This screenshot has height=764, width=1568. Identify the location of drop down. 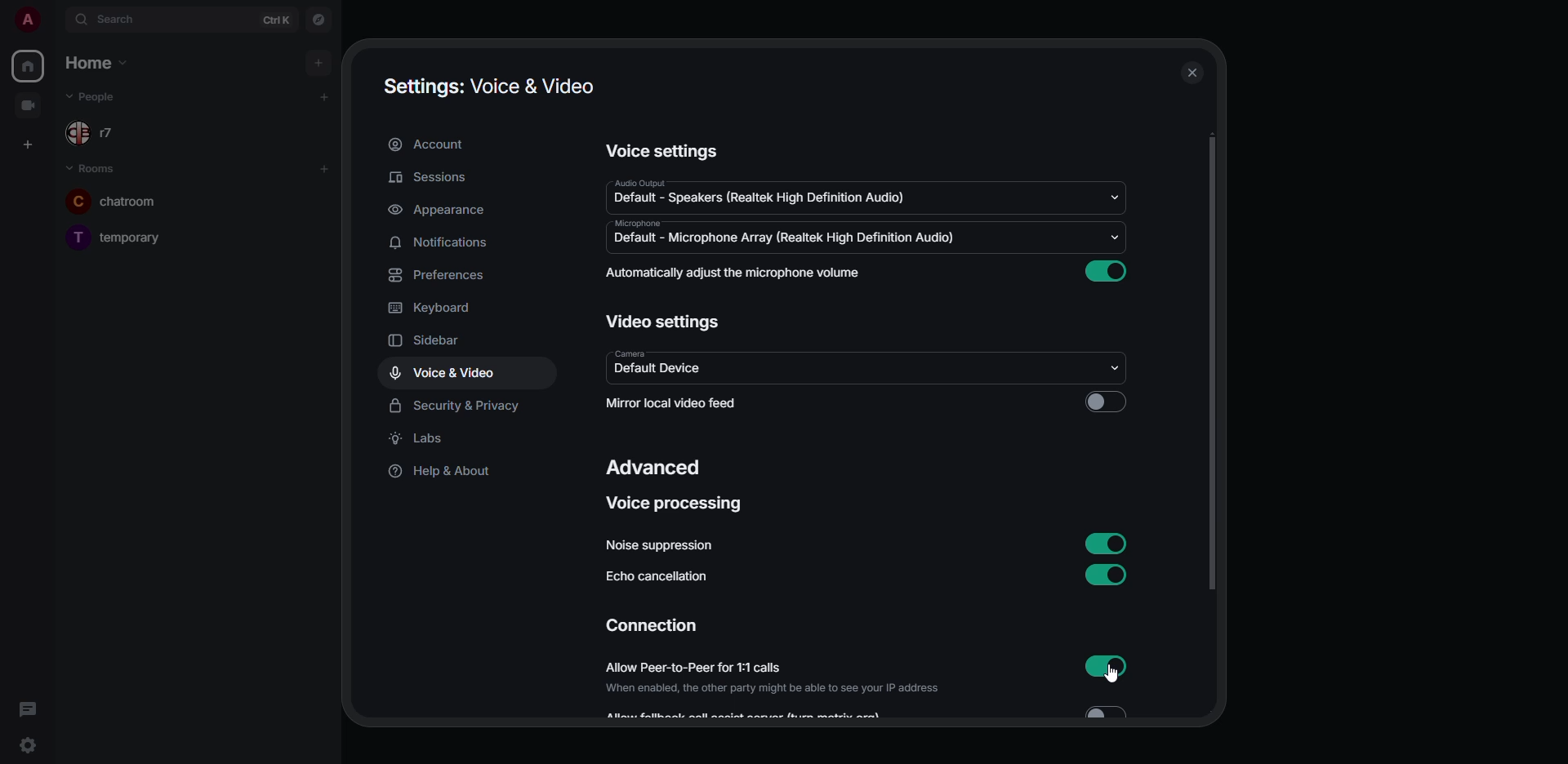
(1114, 195).